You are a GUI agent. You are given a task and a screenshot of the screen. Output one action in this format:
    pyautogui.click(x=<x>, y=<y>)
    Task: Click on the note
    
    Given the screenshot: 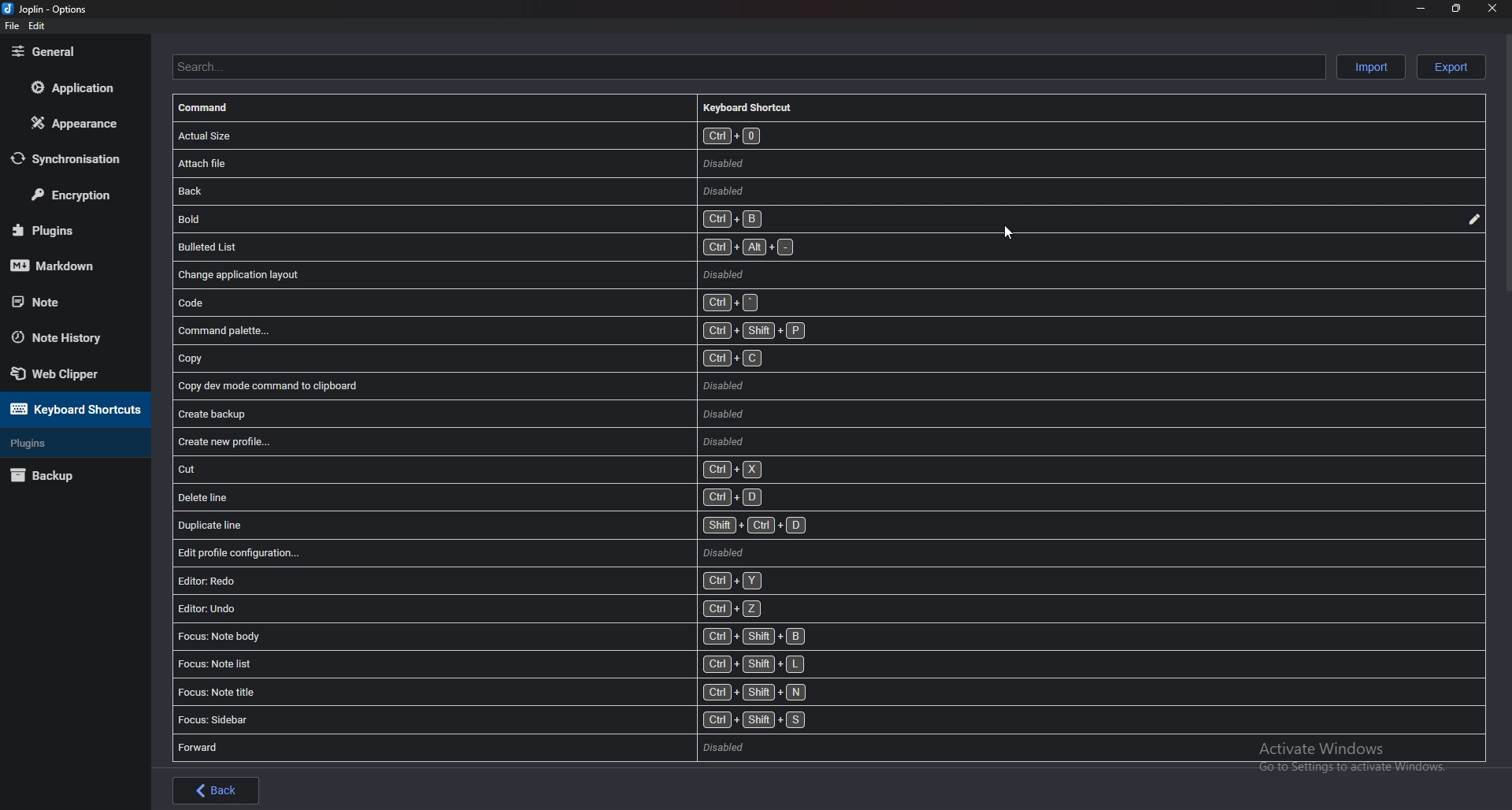 What is the action you would take?
    pyautogui.click(x=65, y=302)
    